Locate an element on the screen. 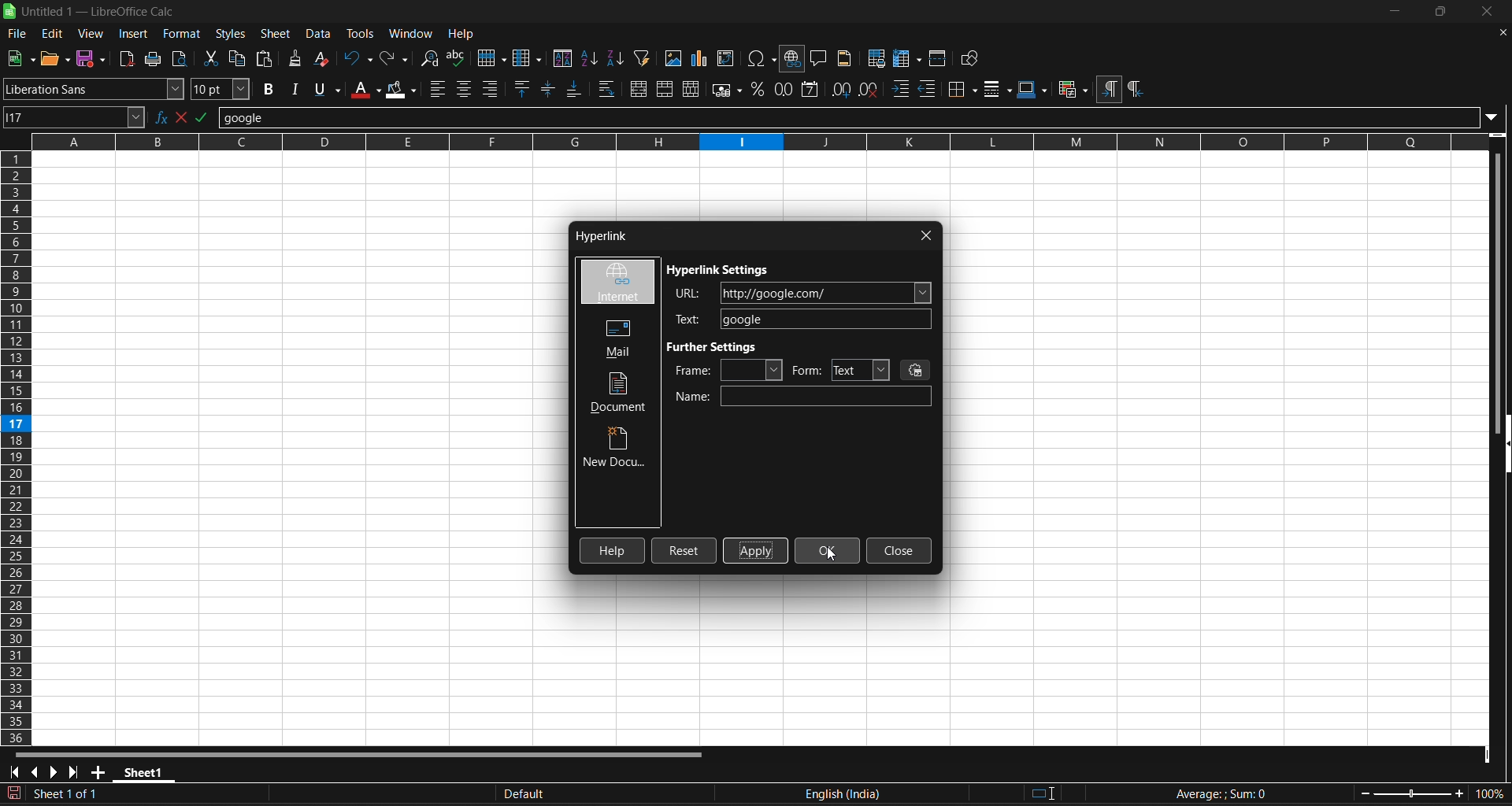  insert special charaters is located at coordinates (760, 58).